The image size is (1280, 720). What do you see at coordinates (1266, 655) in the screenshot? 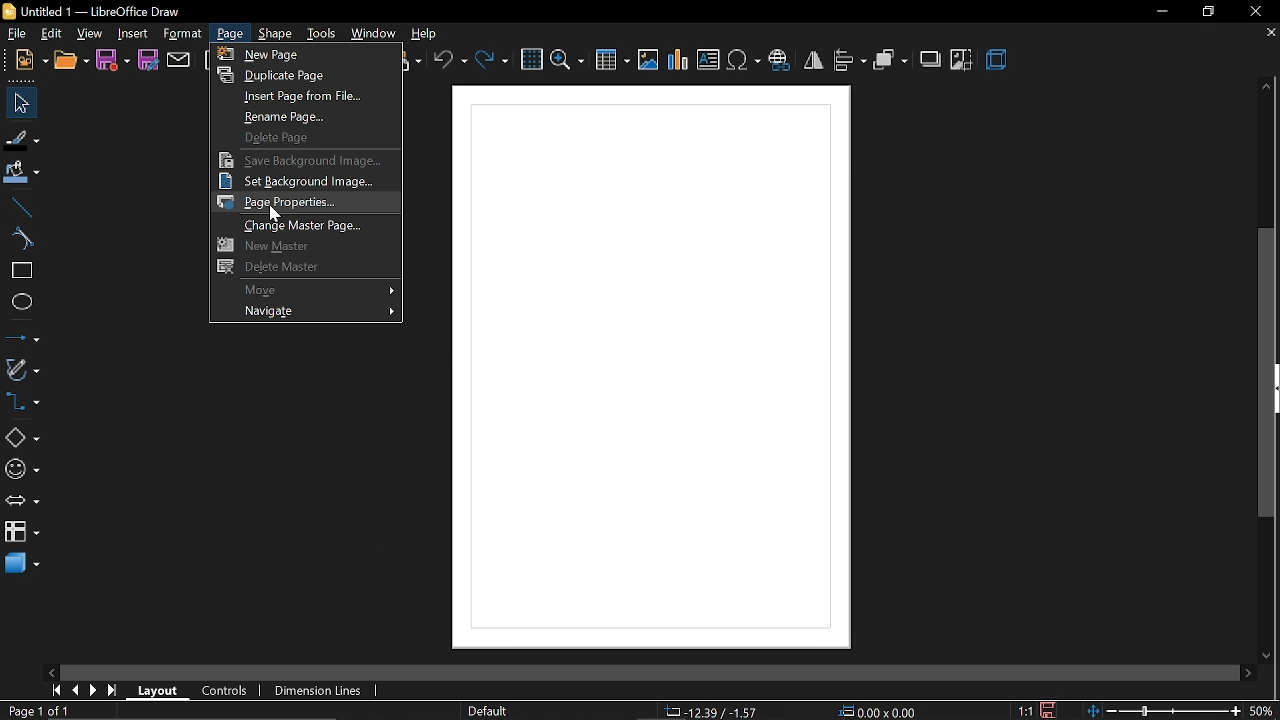
I see `move down` at bounding box center [1266, 655].